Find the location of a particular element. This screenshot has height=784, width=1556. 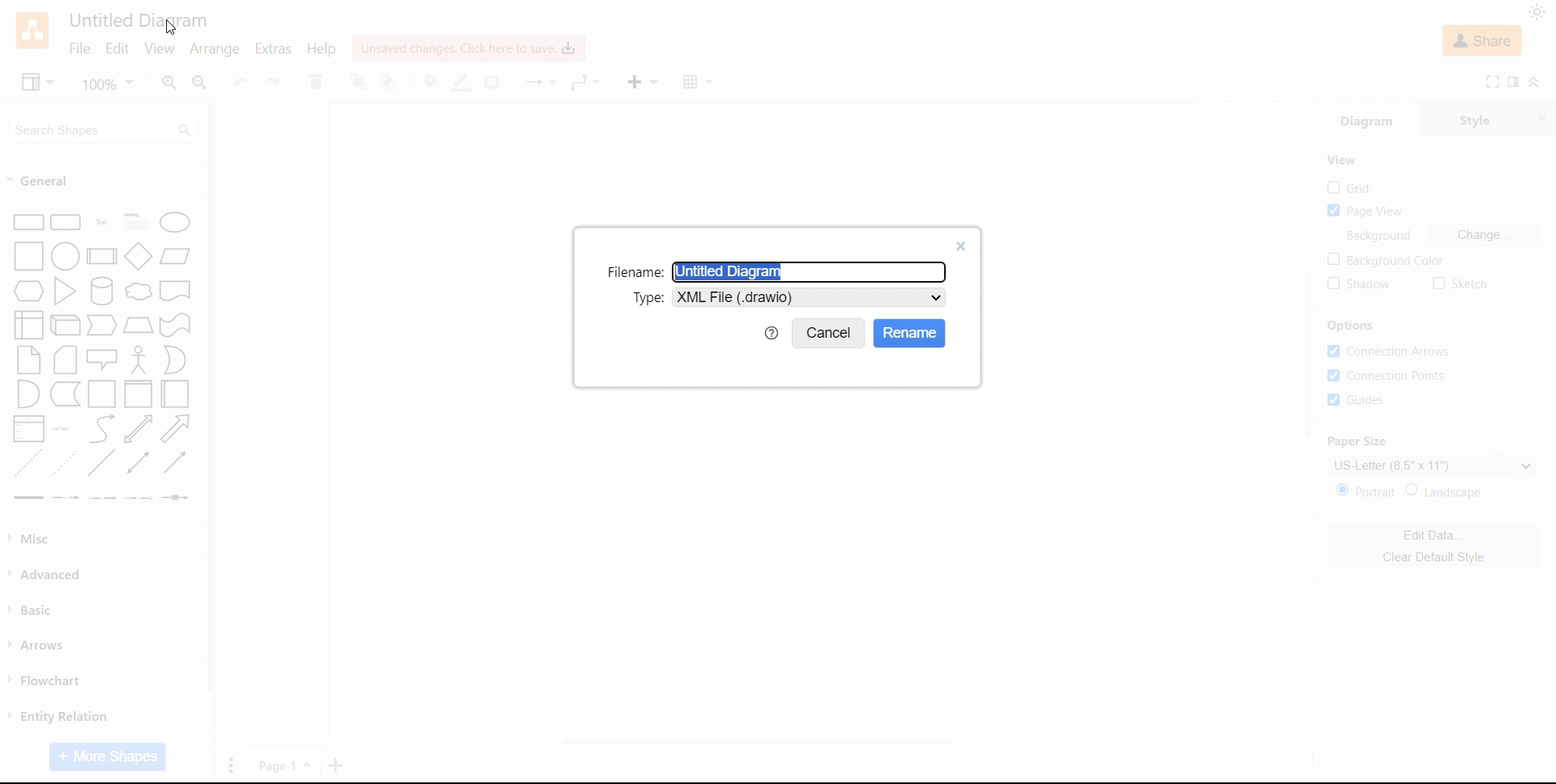

Basic  is located at coordinates (34, 609).